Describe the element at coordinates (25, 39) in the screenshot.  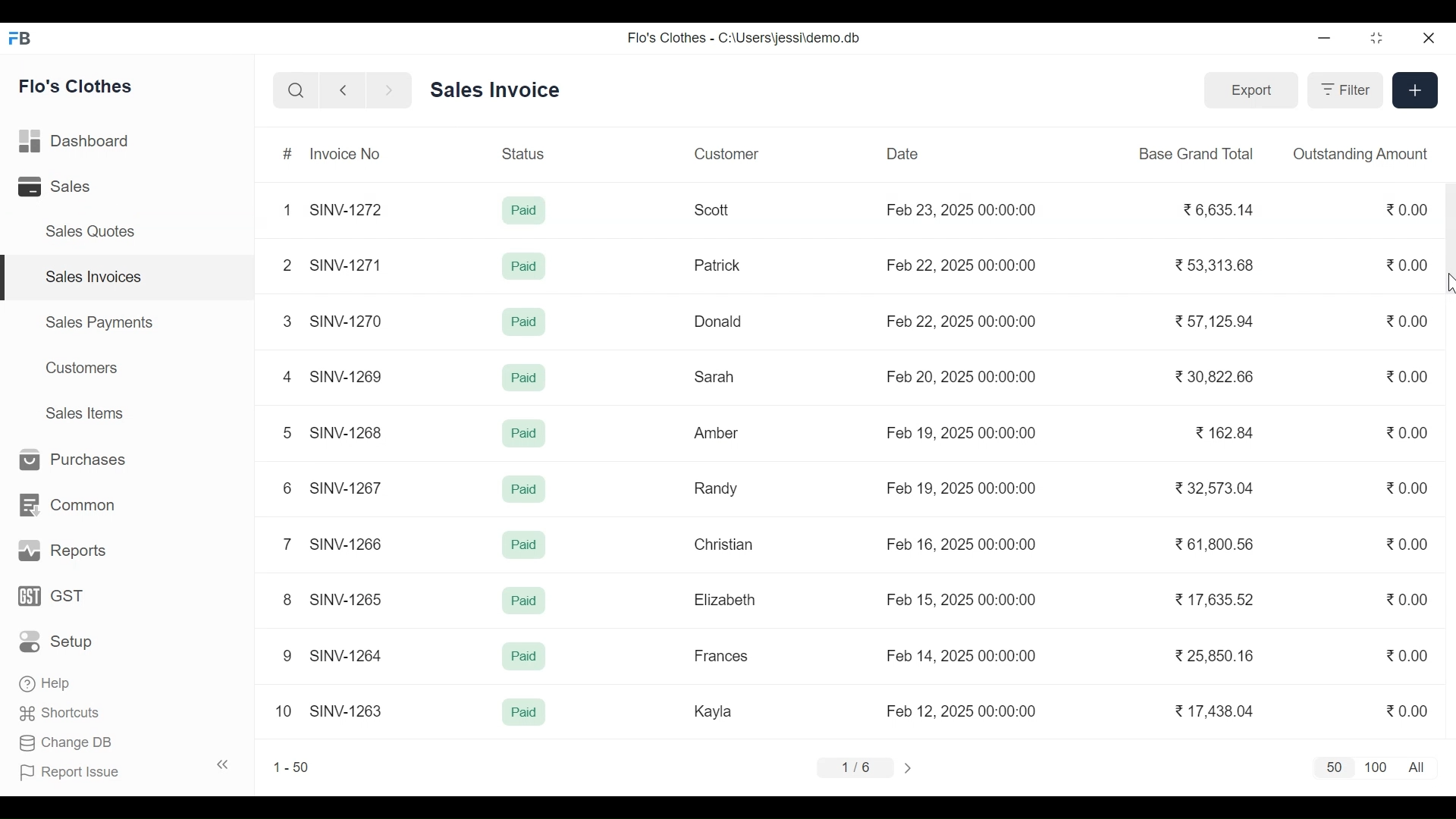
I see `Frappe Book Desktop Icon` at that location.